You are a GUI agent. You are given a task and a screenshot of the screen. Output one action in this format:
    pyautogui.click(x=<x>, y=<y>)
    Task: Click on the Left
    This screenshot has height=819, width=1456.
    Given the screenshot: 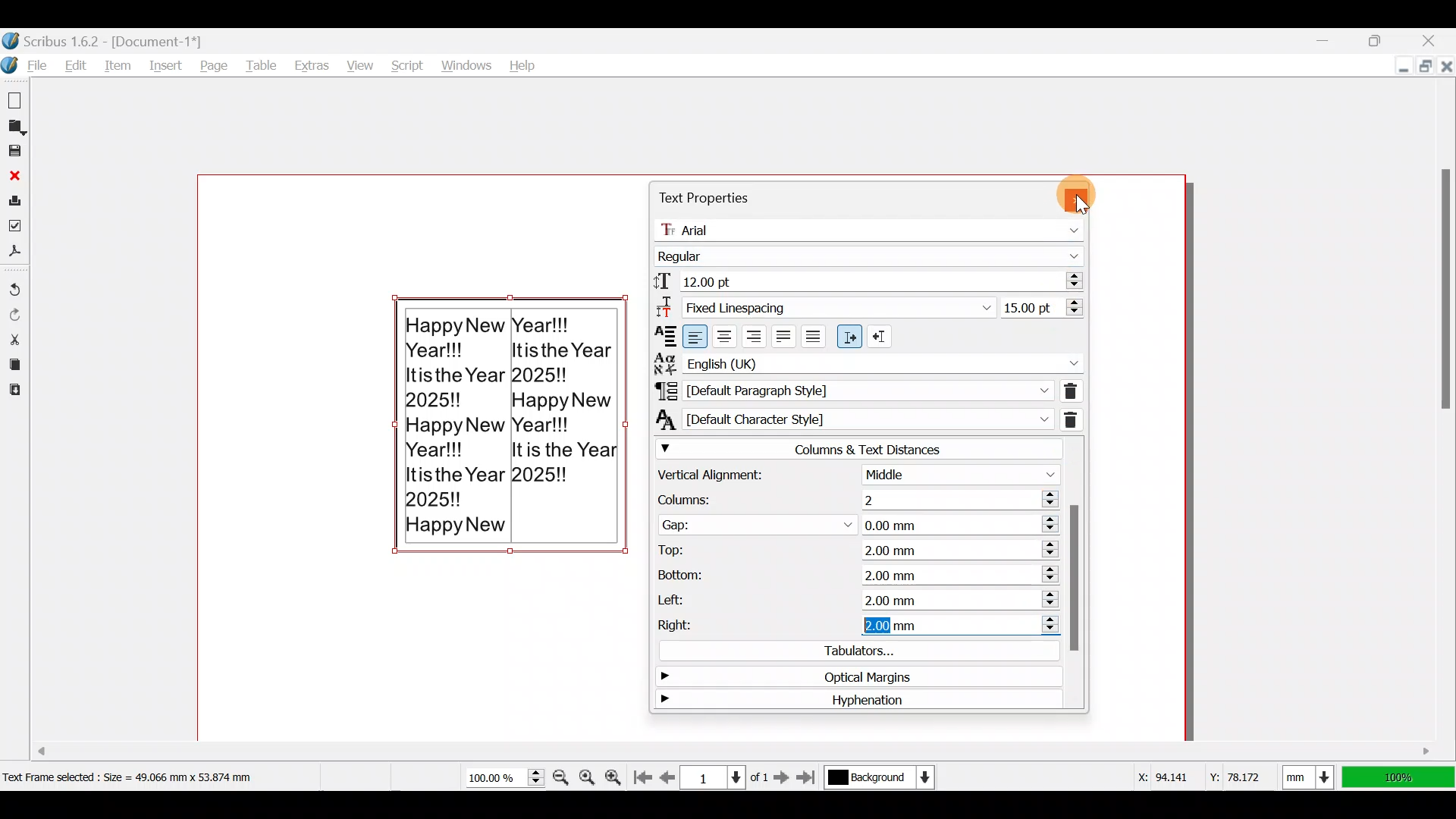 What is the action you would take?
    pyautogui.click(x=855, y=599)
    